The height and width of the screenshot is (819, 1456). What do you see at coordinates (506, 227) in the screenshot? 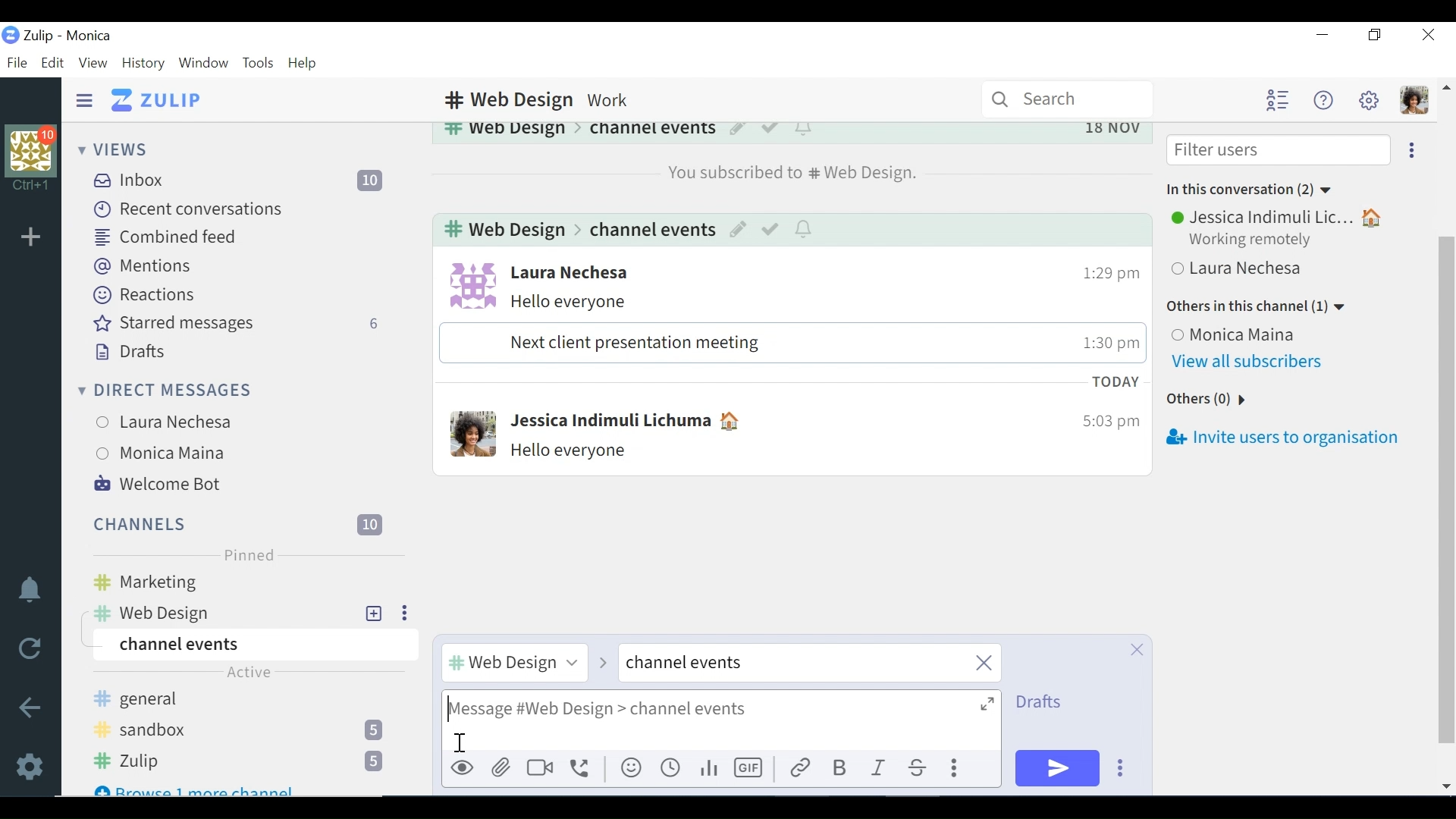
I see `web design channel` at bounding box center [506, 227].